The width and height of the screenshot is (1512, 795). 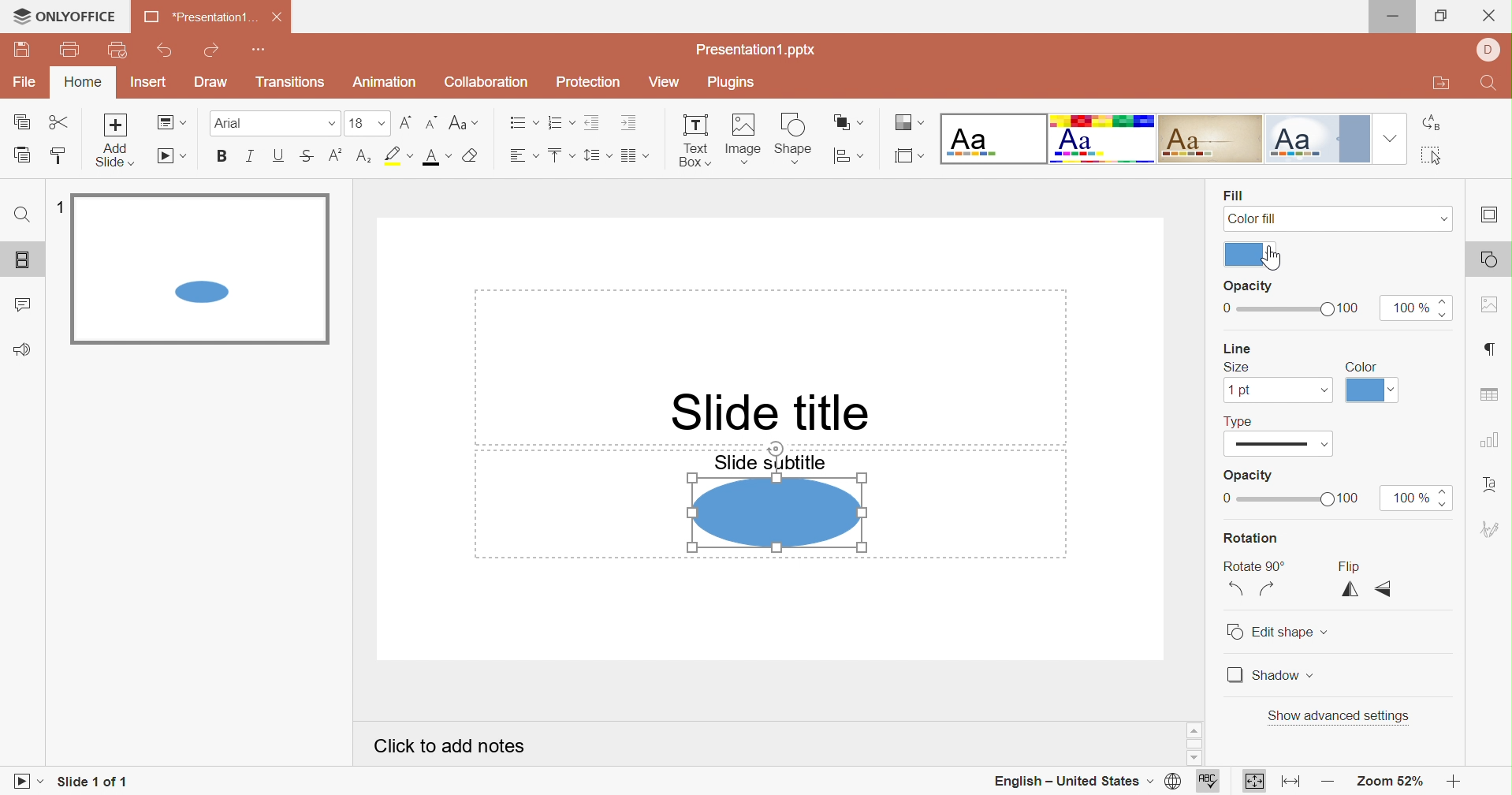 What do you see at coordinates (1227, 498) in the screenshot?
I see `0` at bounding box center [1227, 498].